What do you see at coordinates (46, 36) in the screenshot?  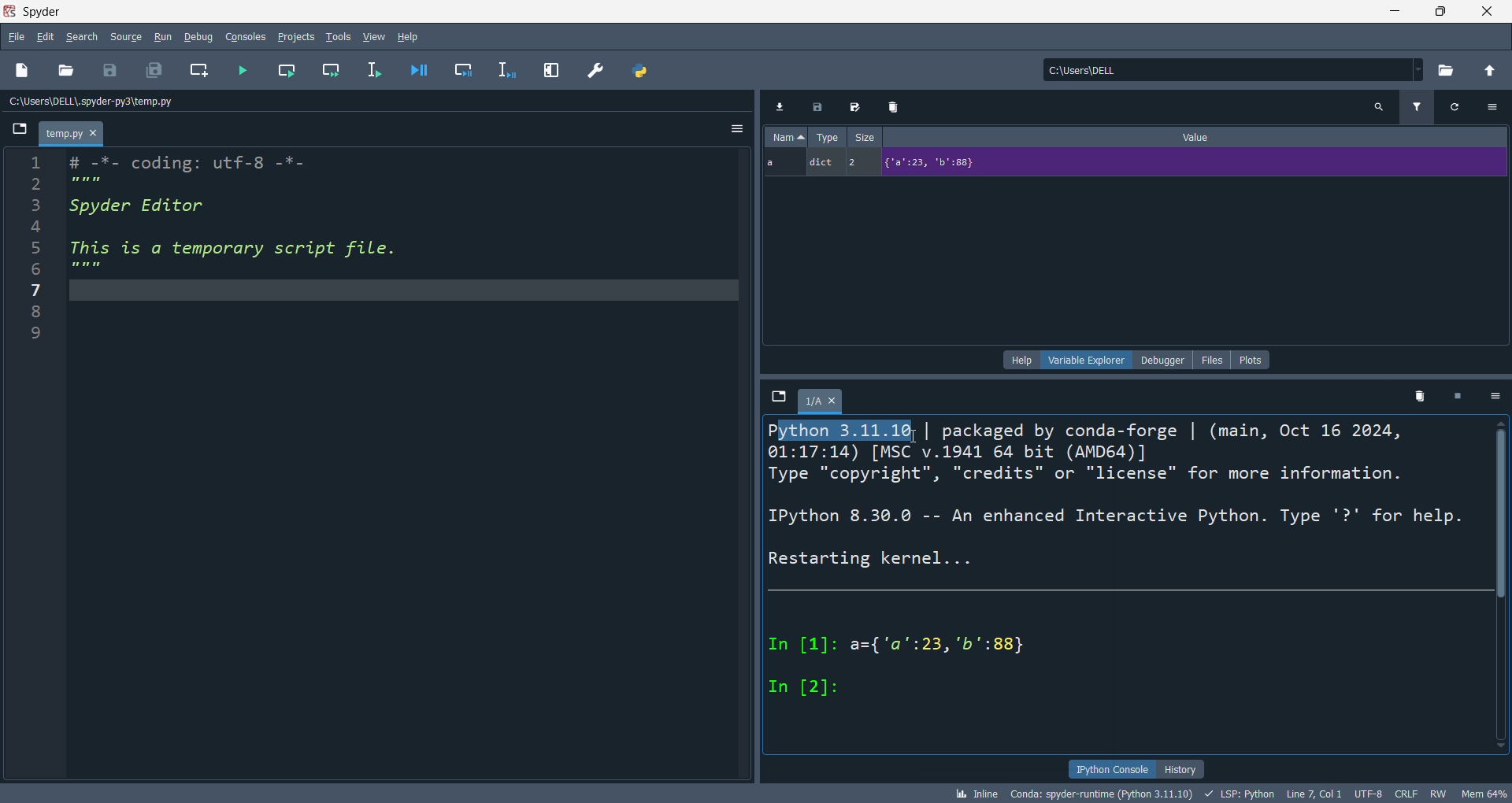 I see `edit` at bounding box center [46, 36].